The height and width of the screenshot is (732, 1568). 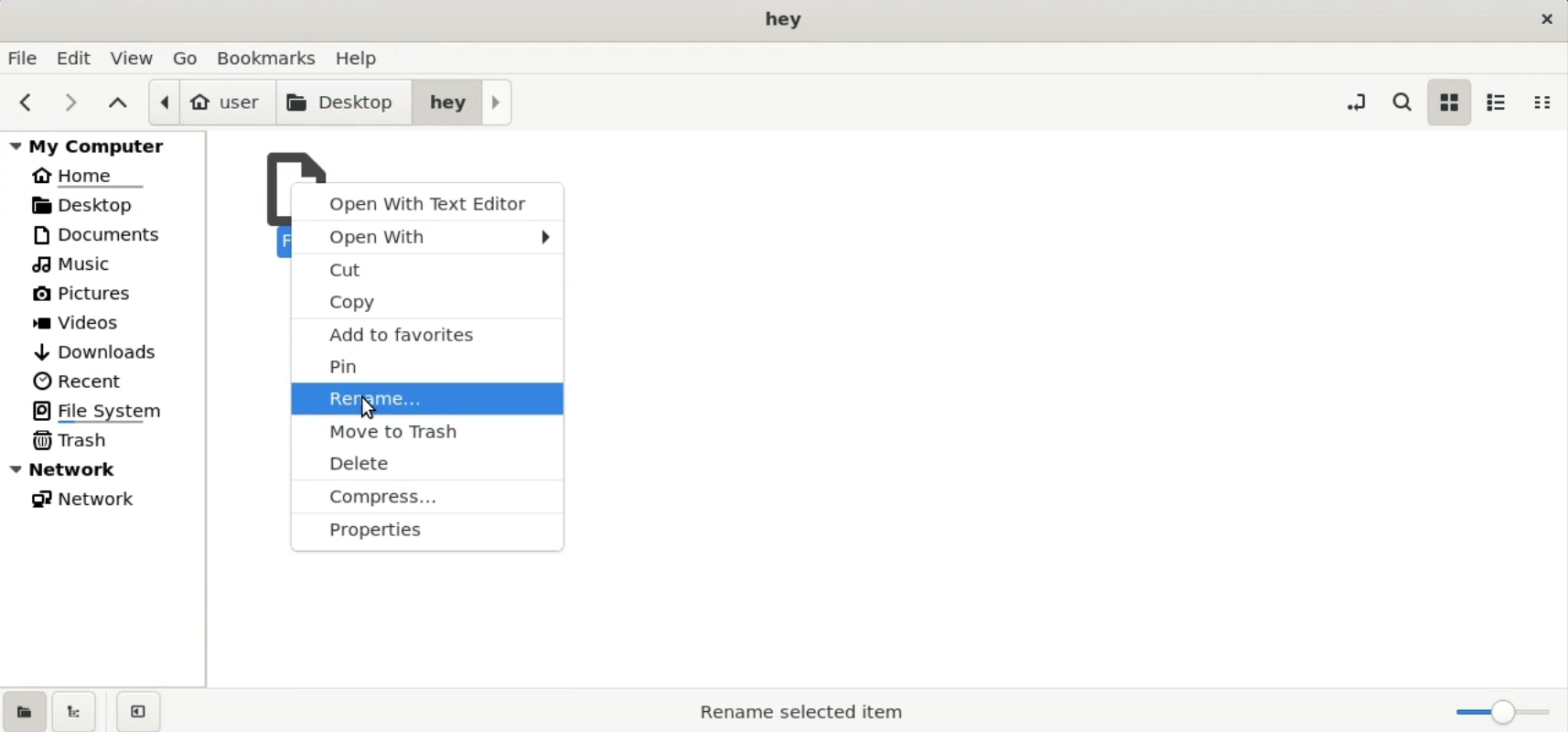 I want to click on videos, so click(x=83, y=325).